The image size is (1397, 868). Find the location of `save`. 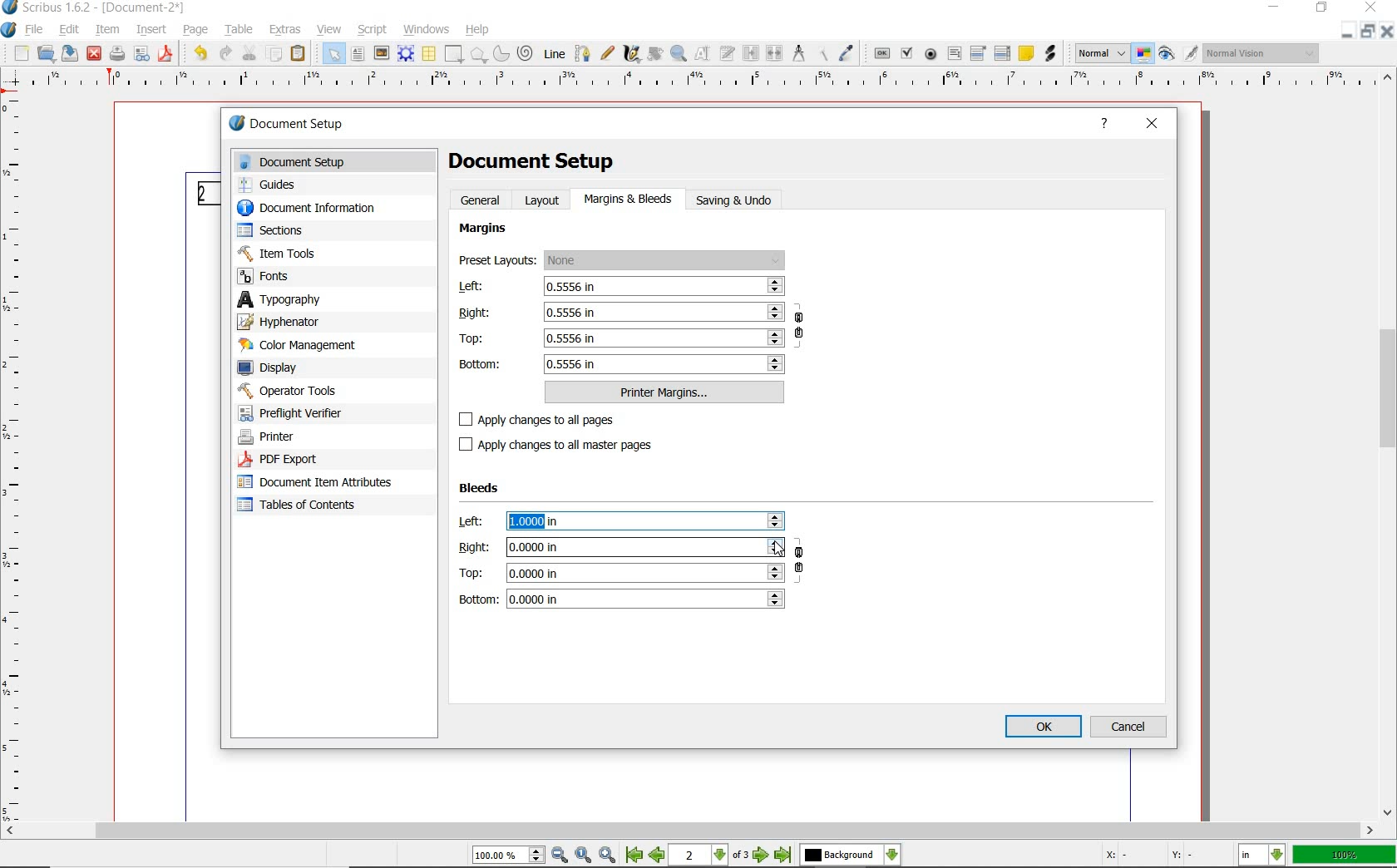

save is located at coordinates (70, 54).